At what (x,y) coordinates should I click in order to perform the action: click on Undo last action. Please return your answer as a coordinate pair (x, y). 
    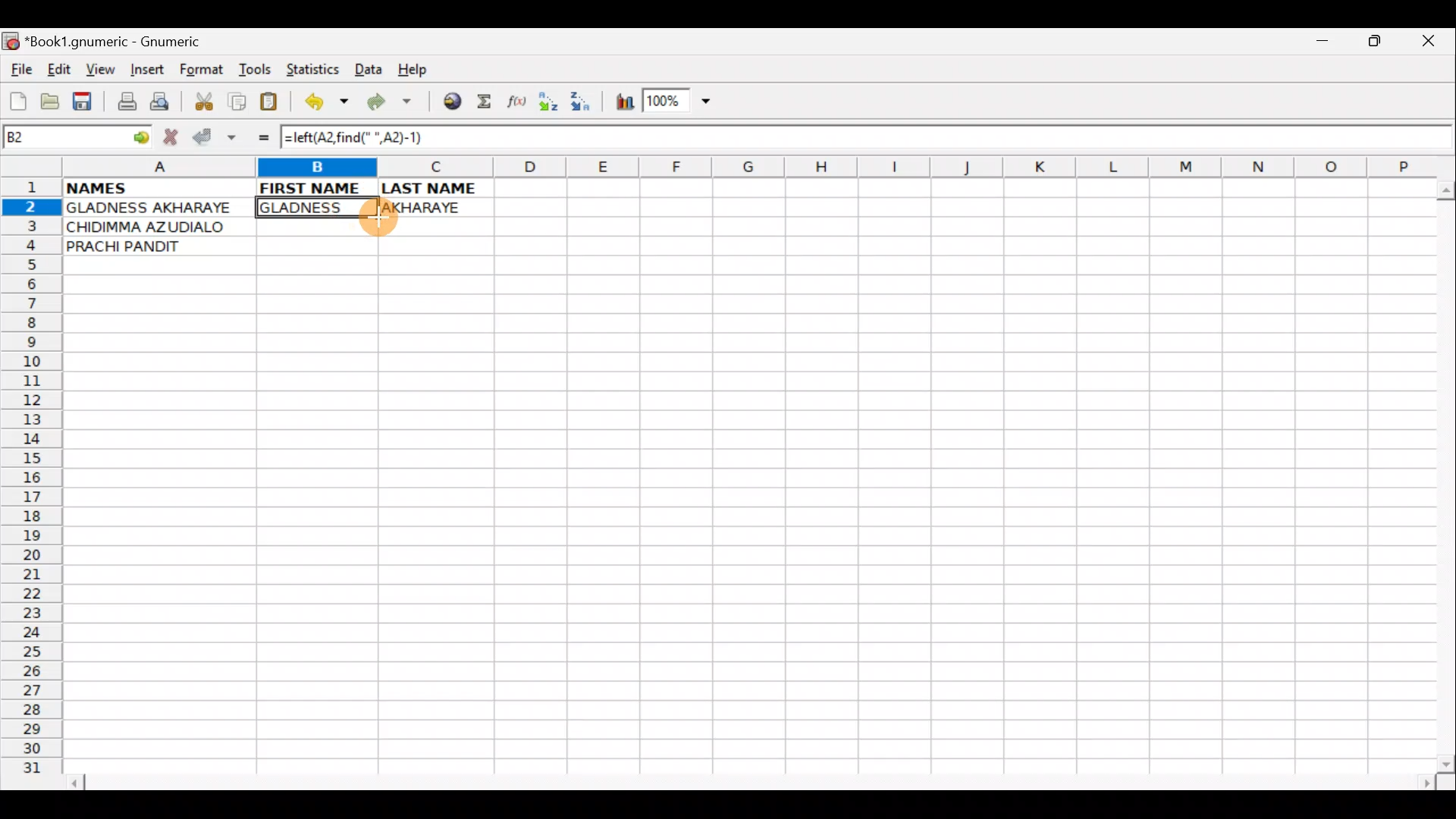
    Looking at the image, I should click on (328, 104).